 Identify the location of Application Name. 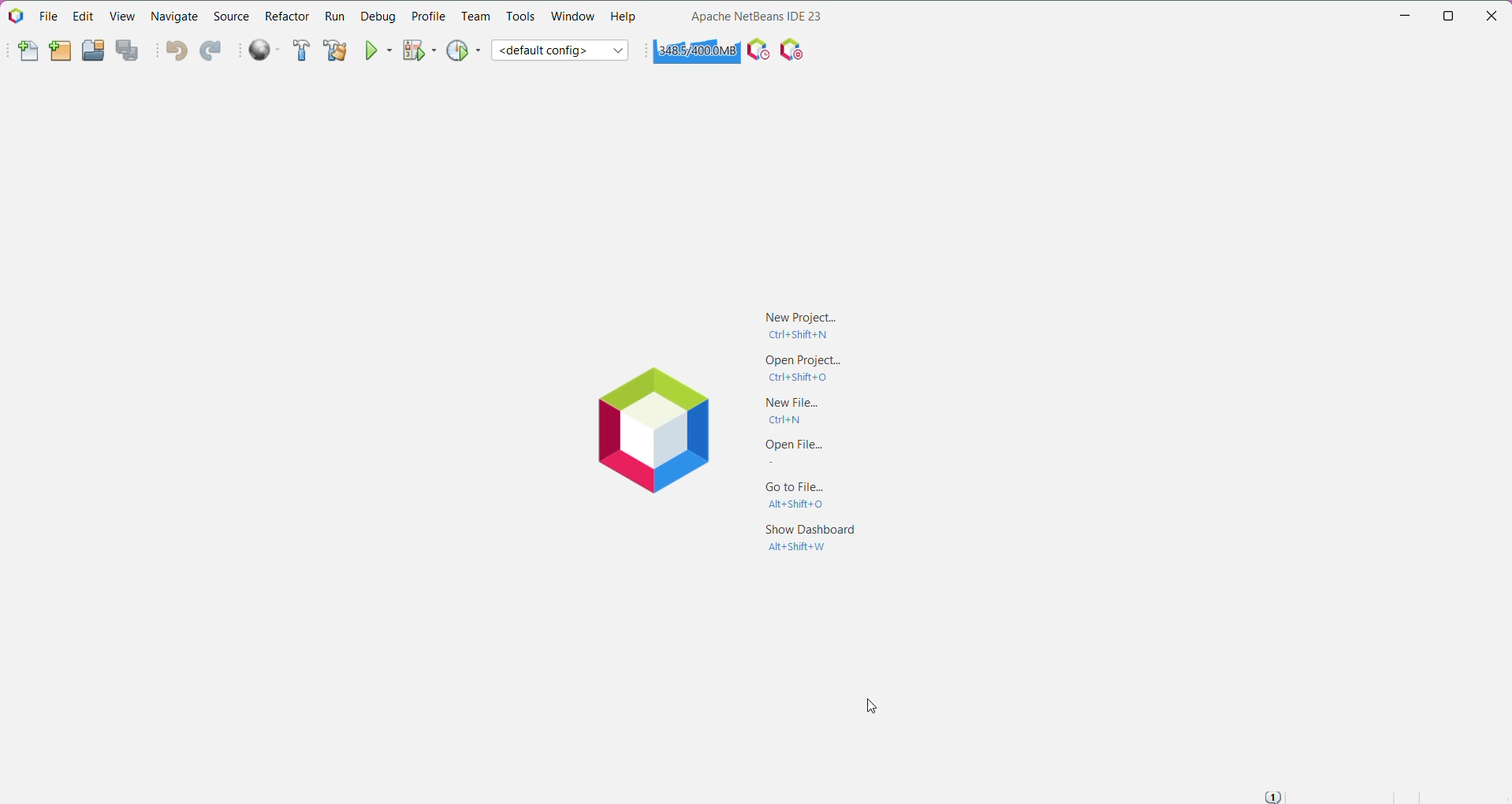
(756, 16).